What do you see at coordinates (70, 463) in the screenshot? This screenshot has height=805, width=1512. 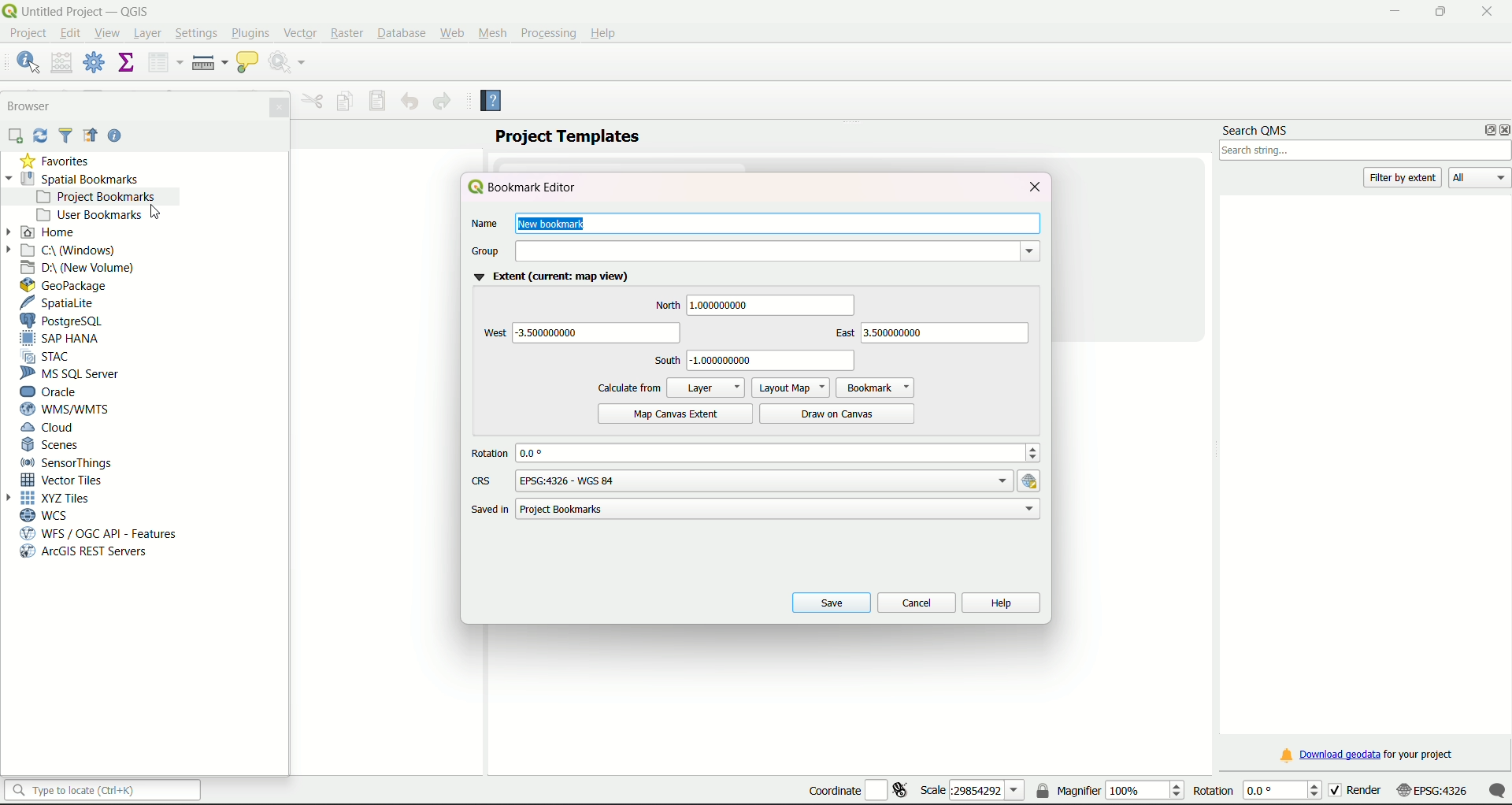 I see `Sensor Things` at bounding box center [70, 463].